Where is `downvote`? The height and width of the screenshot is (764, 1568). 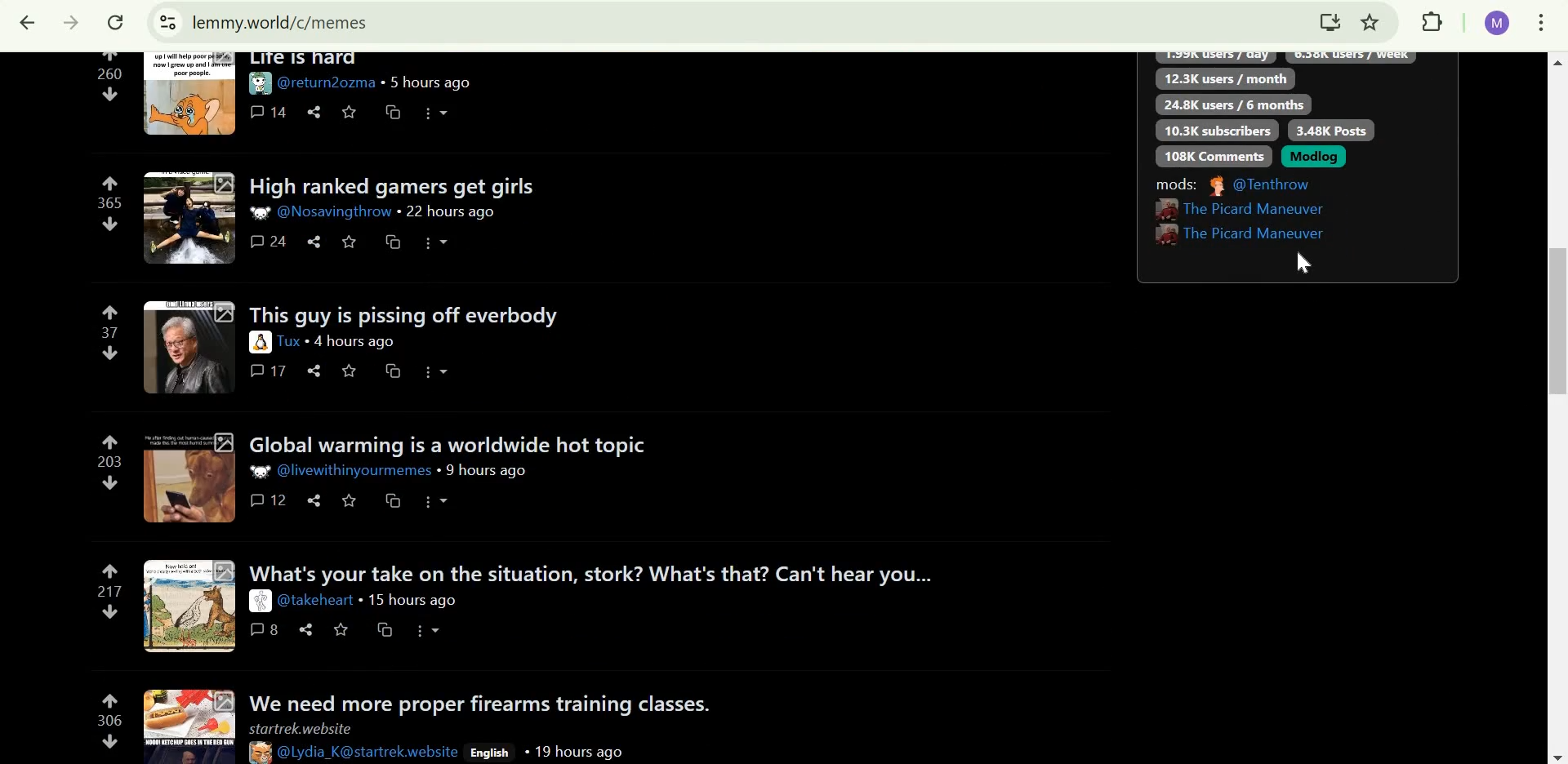
downvote is located at coordinates (111, 740).